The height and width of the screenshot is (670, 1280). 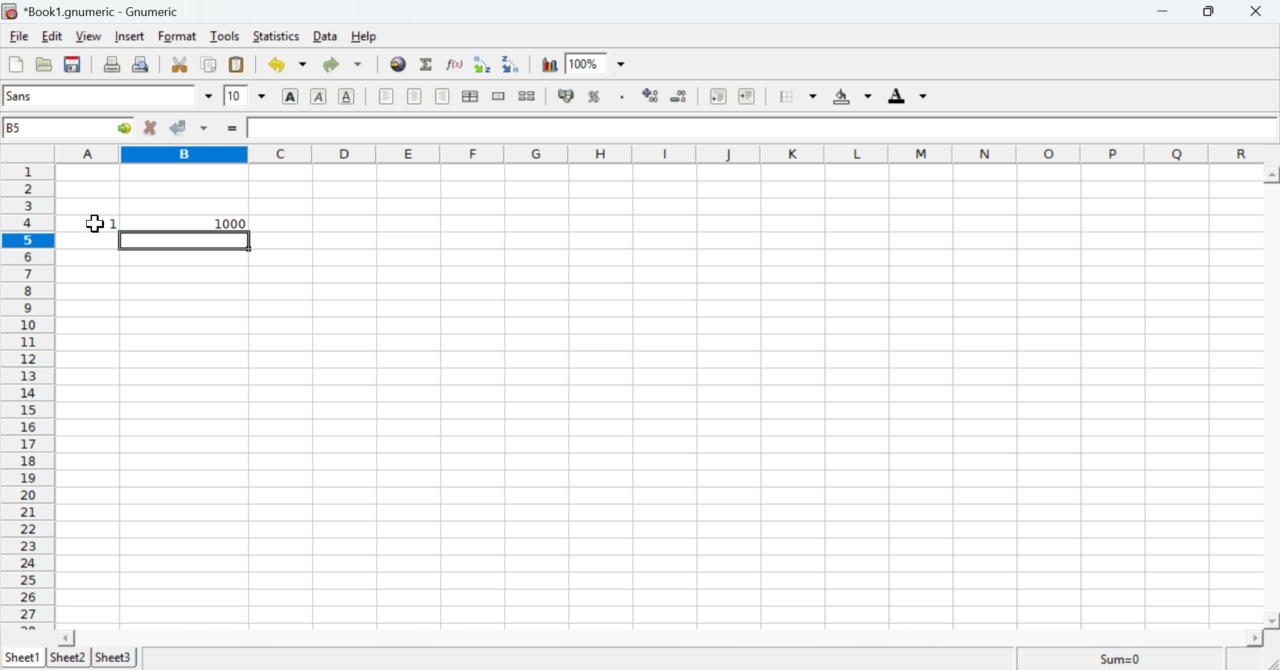 I want to click on scroll up, so click(x=1271, y=174).